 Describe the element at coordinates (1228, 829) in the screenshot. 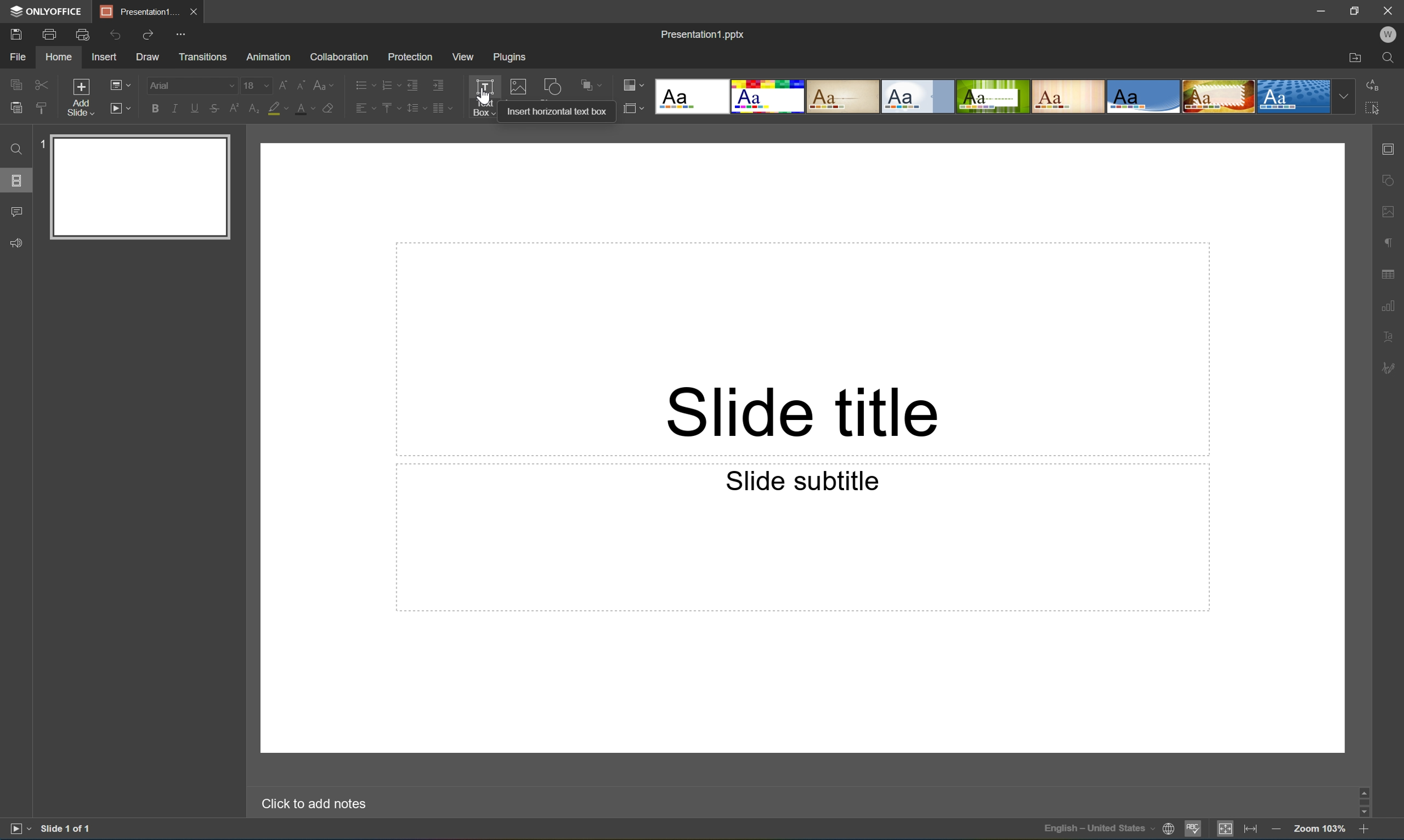

I see `Fit to Slide` at that location.